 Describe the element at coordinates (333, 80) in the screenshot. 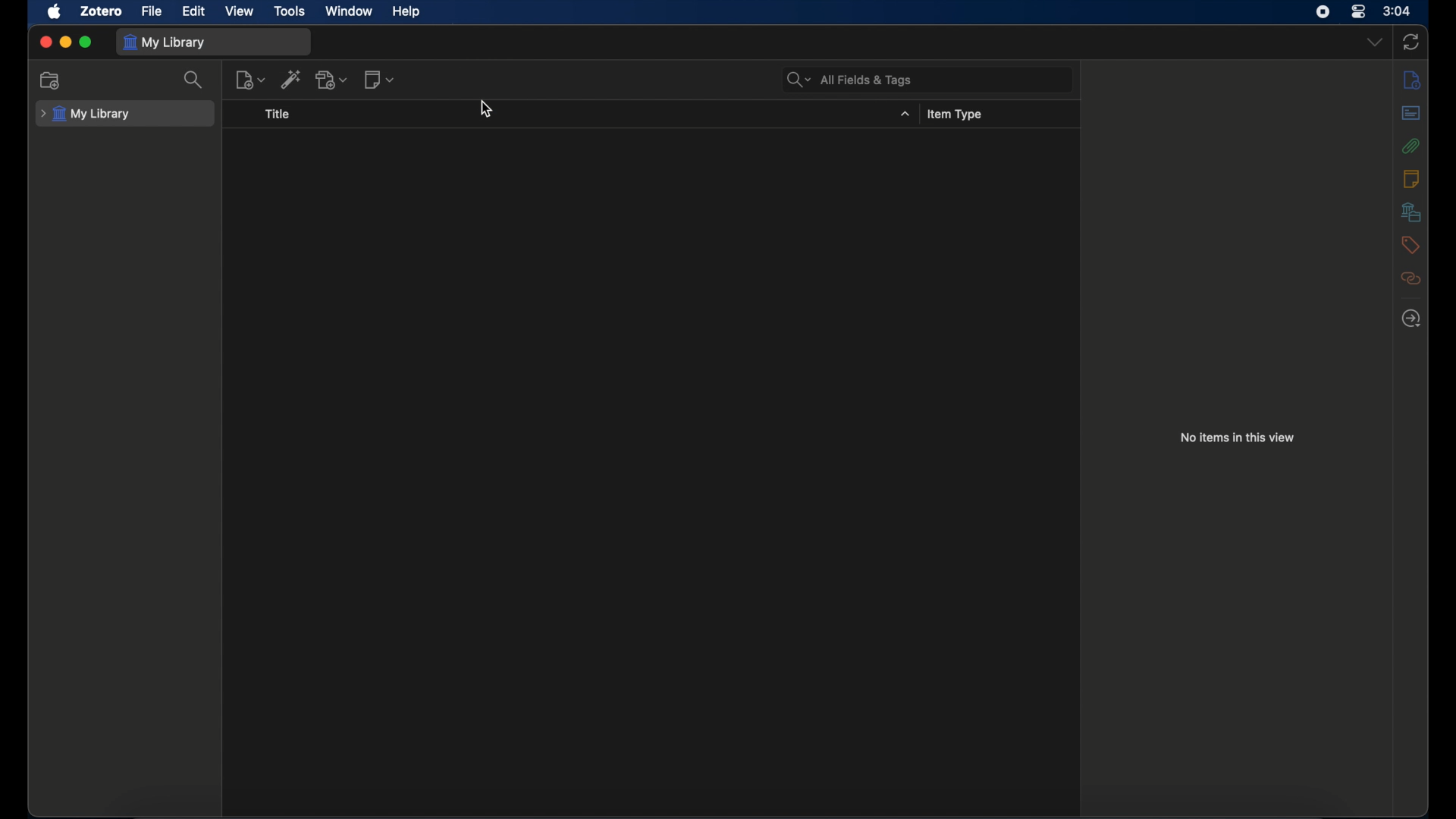

I see `add attachment` at that location.